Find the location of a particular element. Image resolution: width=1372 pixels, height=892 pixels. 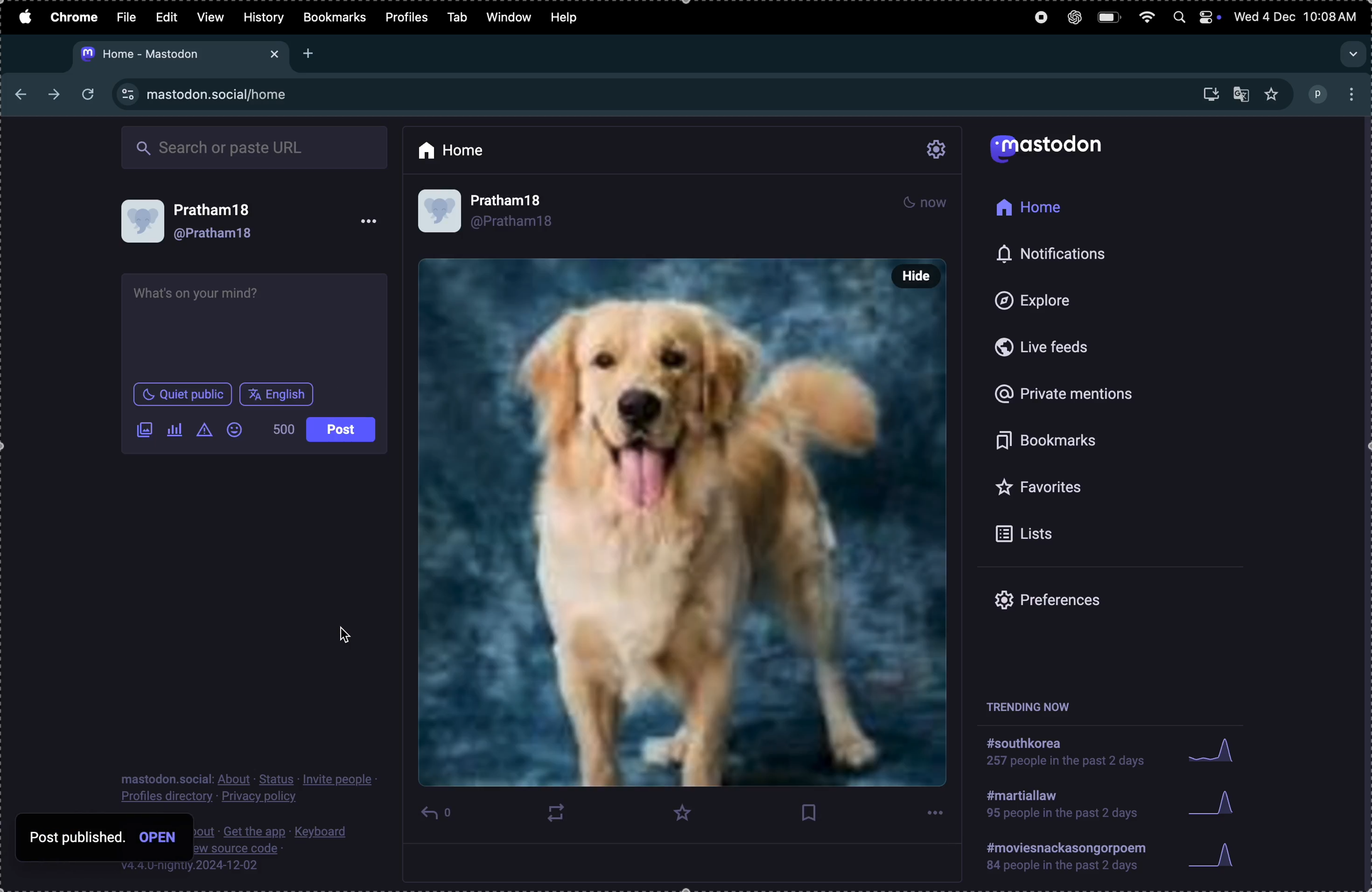

notifications is located at coordinates (1041, 254).